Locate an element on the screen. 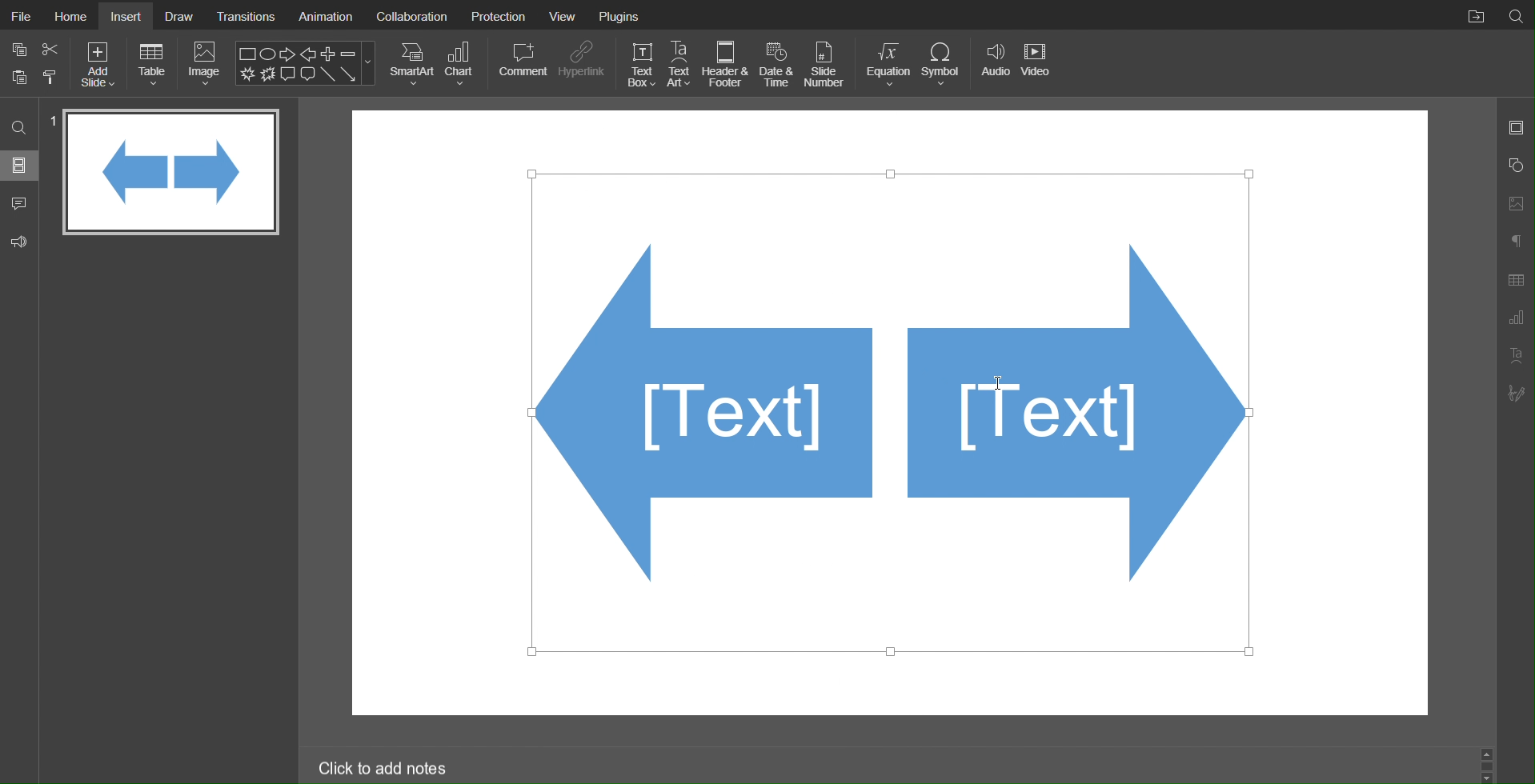 The height and width of the screenshot is (784, 1535). Paragraph Settings is located at coordinates (1516, 242).